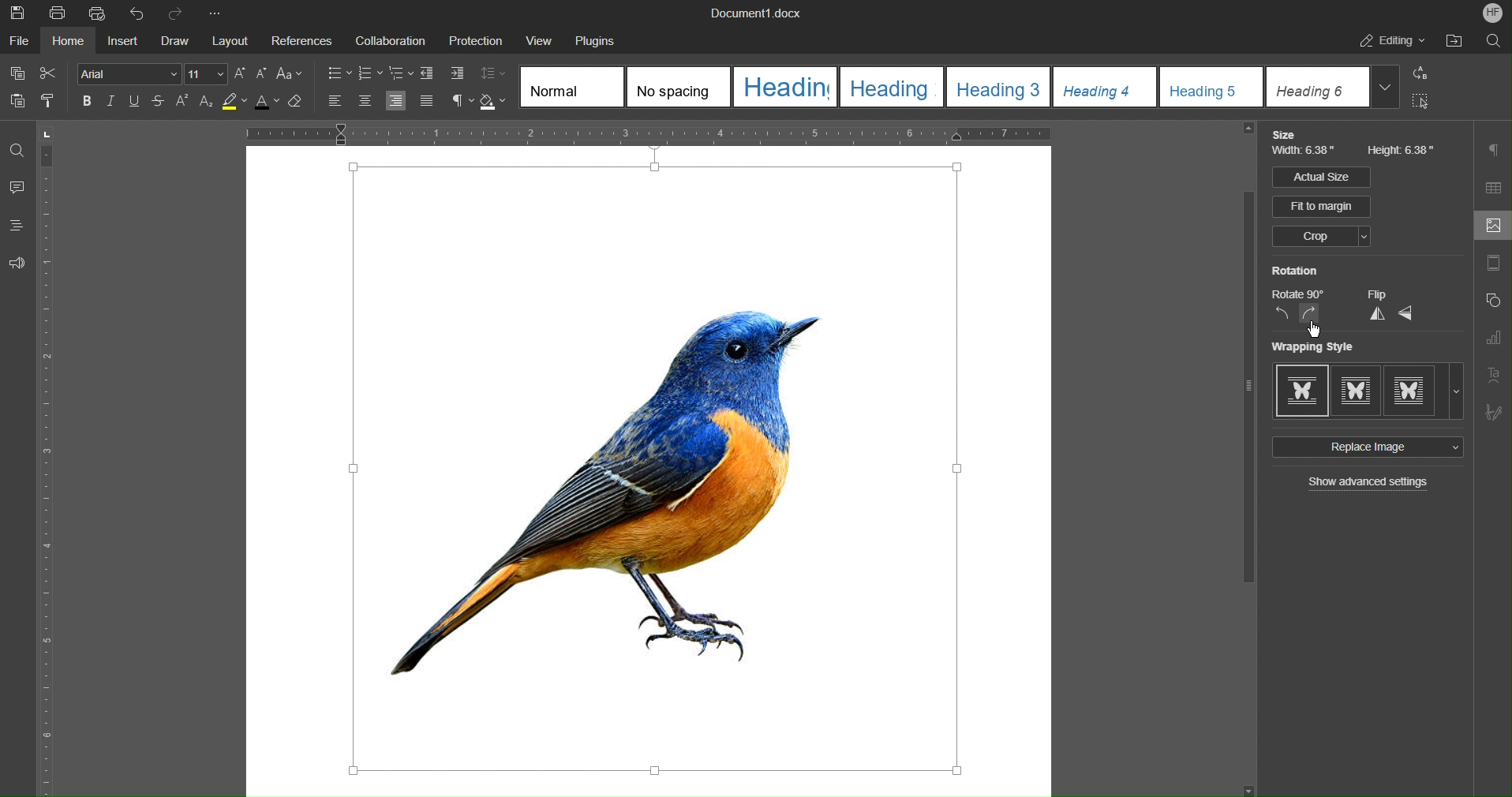 The image size is (1512, 797). I want to click on Protection, so click(468, 37).